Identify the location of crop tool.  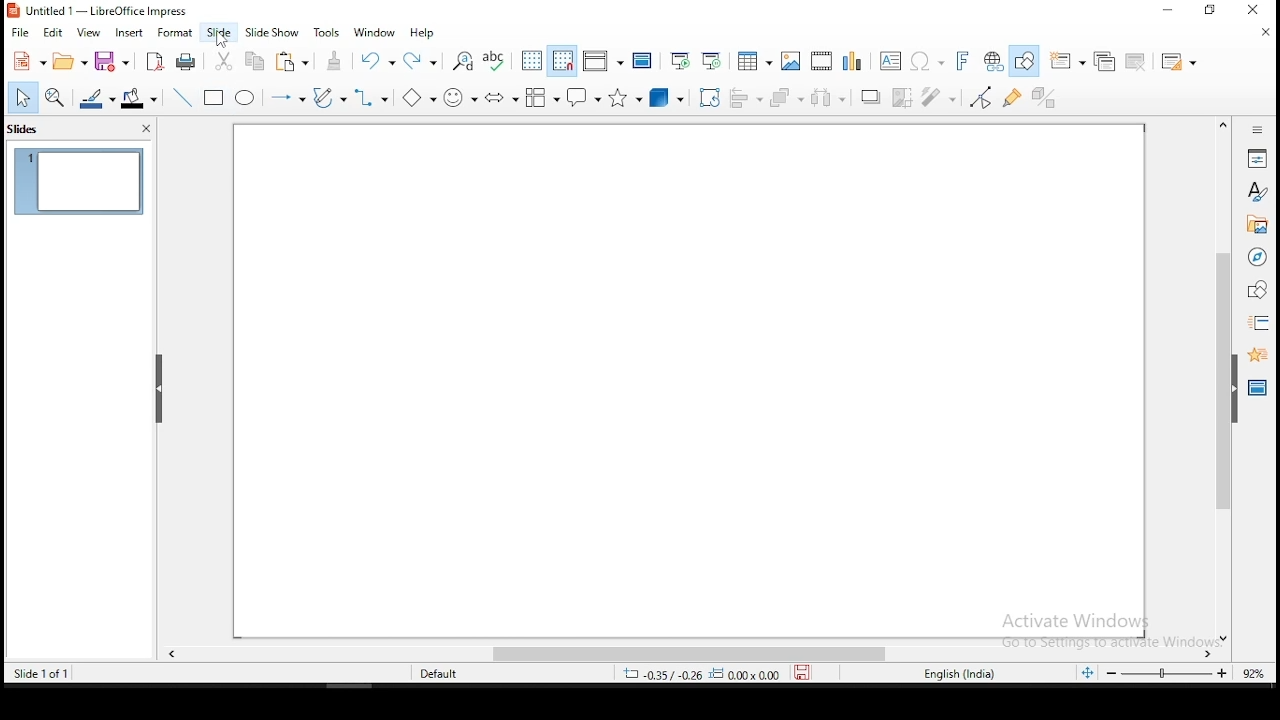
(709, 98).